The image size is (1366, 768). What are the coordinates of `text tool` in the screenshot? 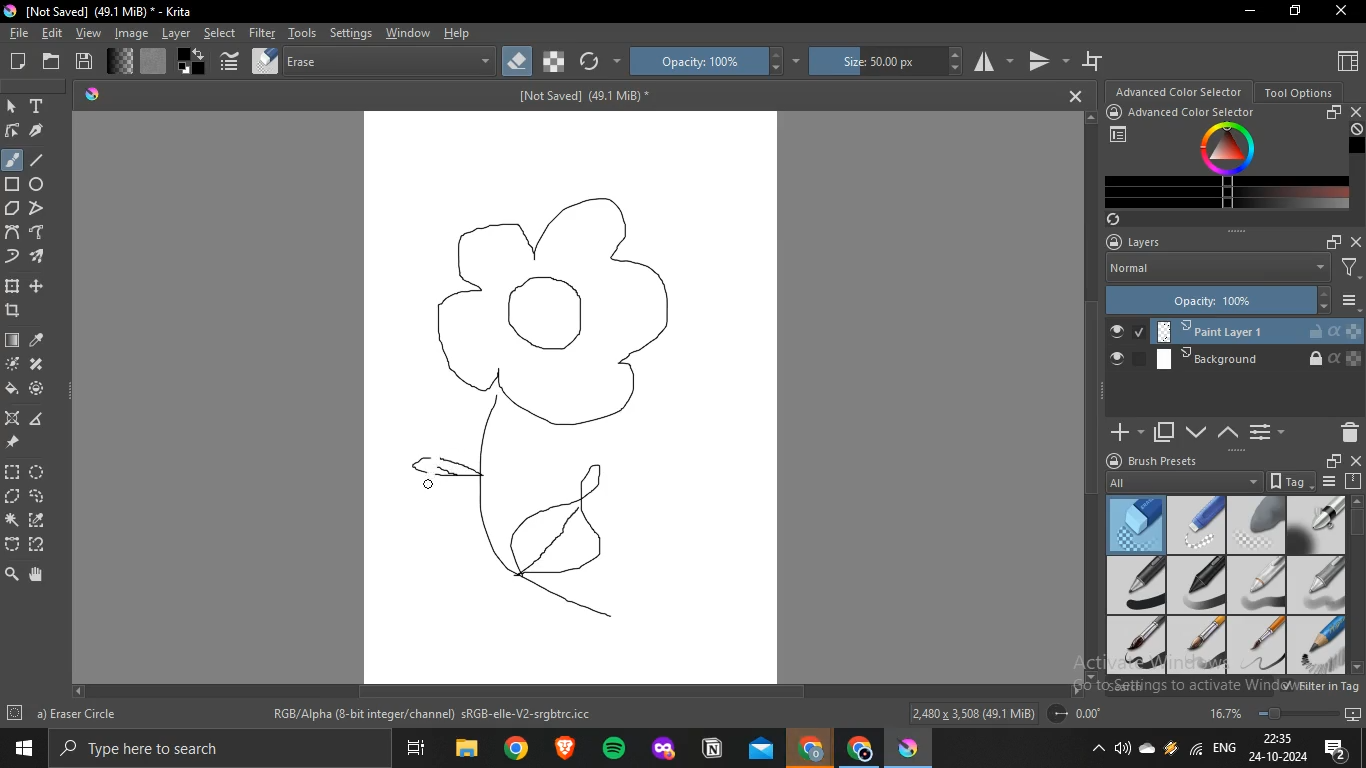 It's located at (38, 105).